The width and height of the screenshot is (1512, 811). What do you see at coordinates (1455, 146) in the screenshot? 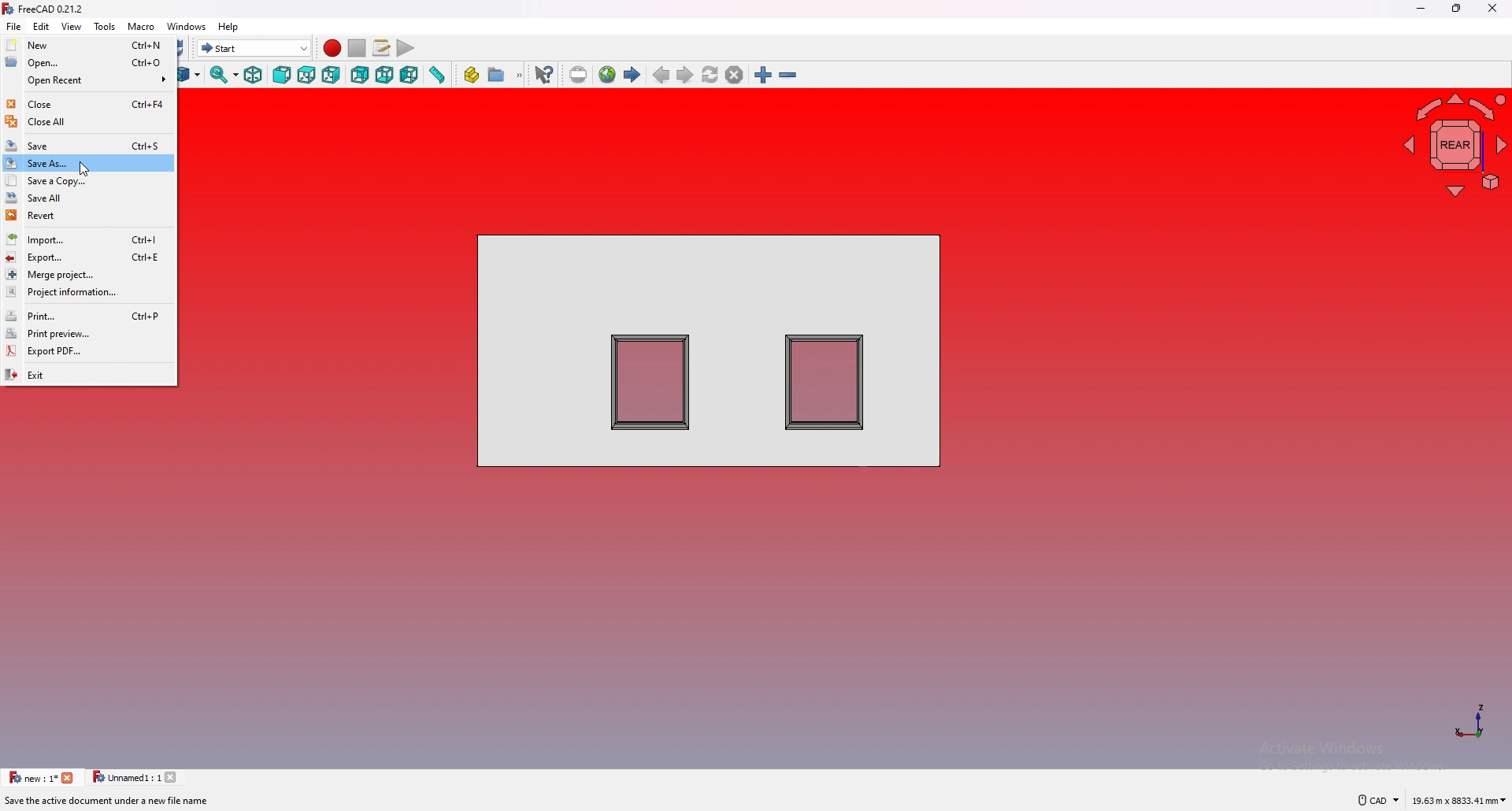
I see `navigating cube` at bounding box center [1455, 146].